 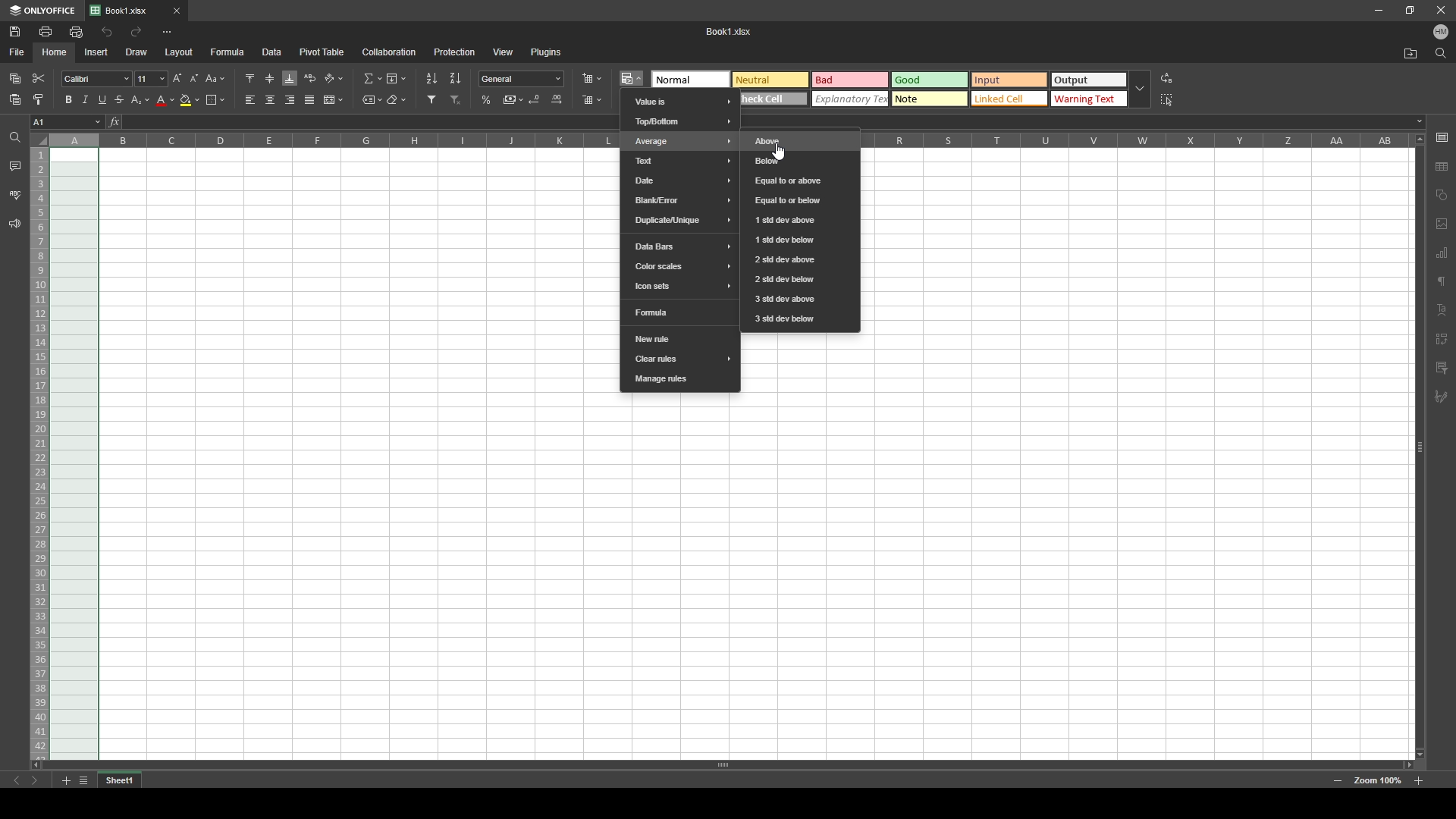 I want to click on borders, so click(x=215, y=99).